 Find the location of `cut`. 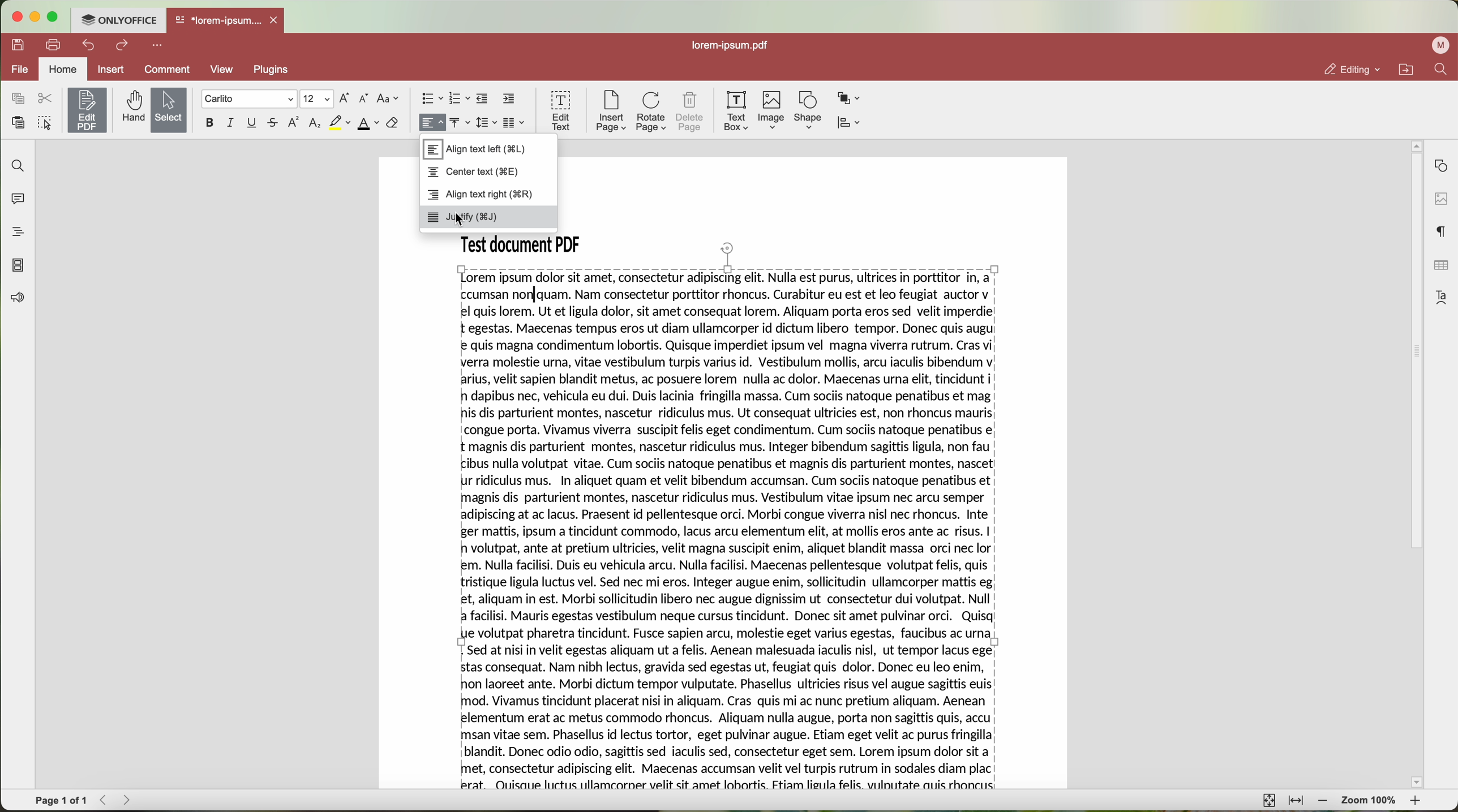

cut is located at coordinates (46, 99).